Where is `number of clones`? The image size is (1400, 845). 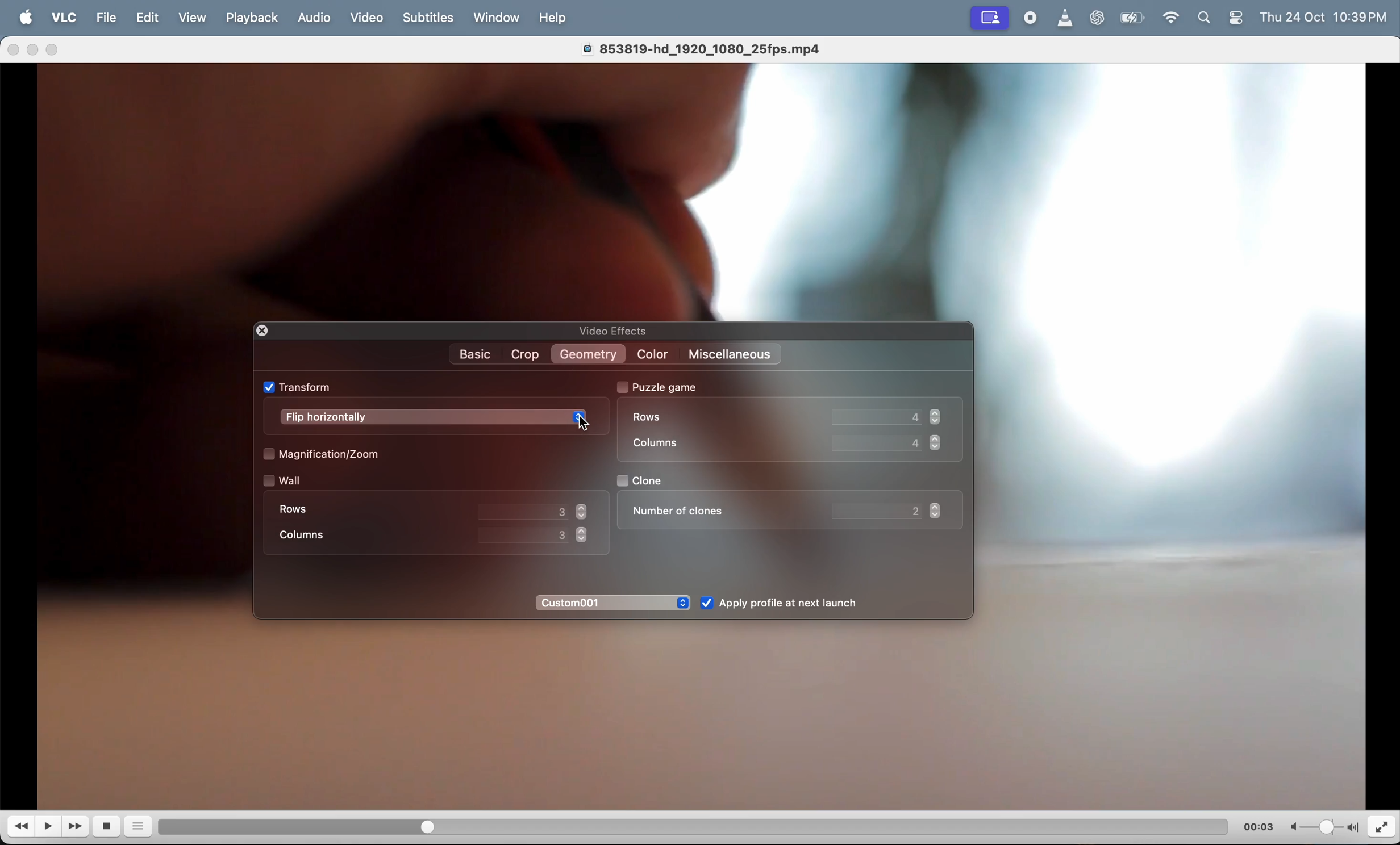
number of clones is located at coordinates (680, 509).